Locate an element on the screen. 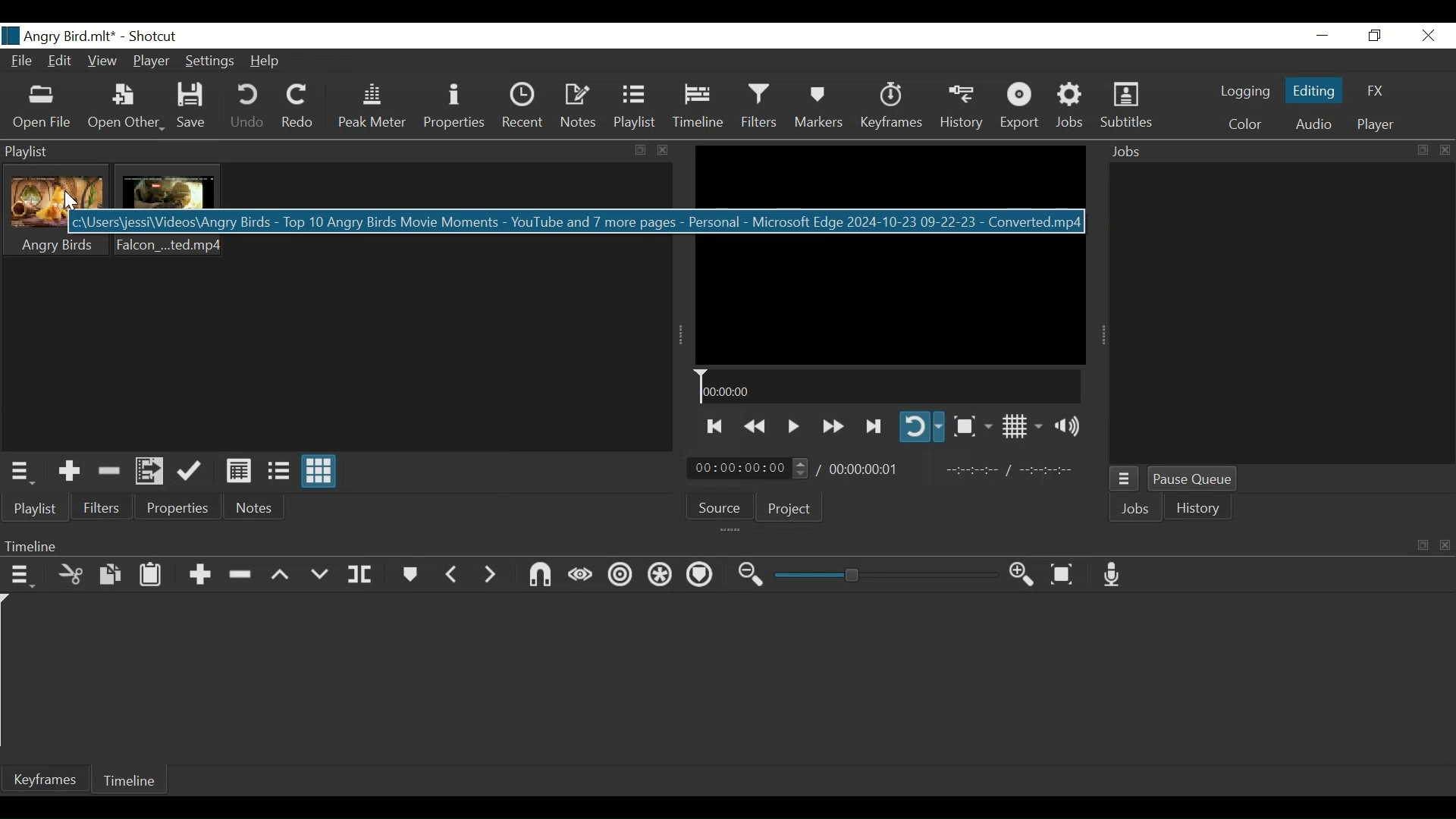 The height and width of the screenshot is (819, 1456). Jobs is located at coordinates (1072, 108).